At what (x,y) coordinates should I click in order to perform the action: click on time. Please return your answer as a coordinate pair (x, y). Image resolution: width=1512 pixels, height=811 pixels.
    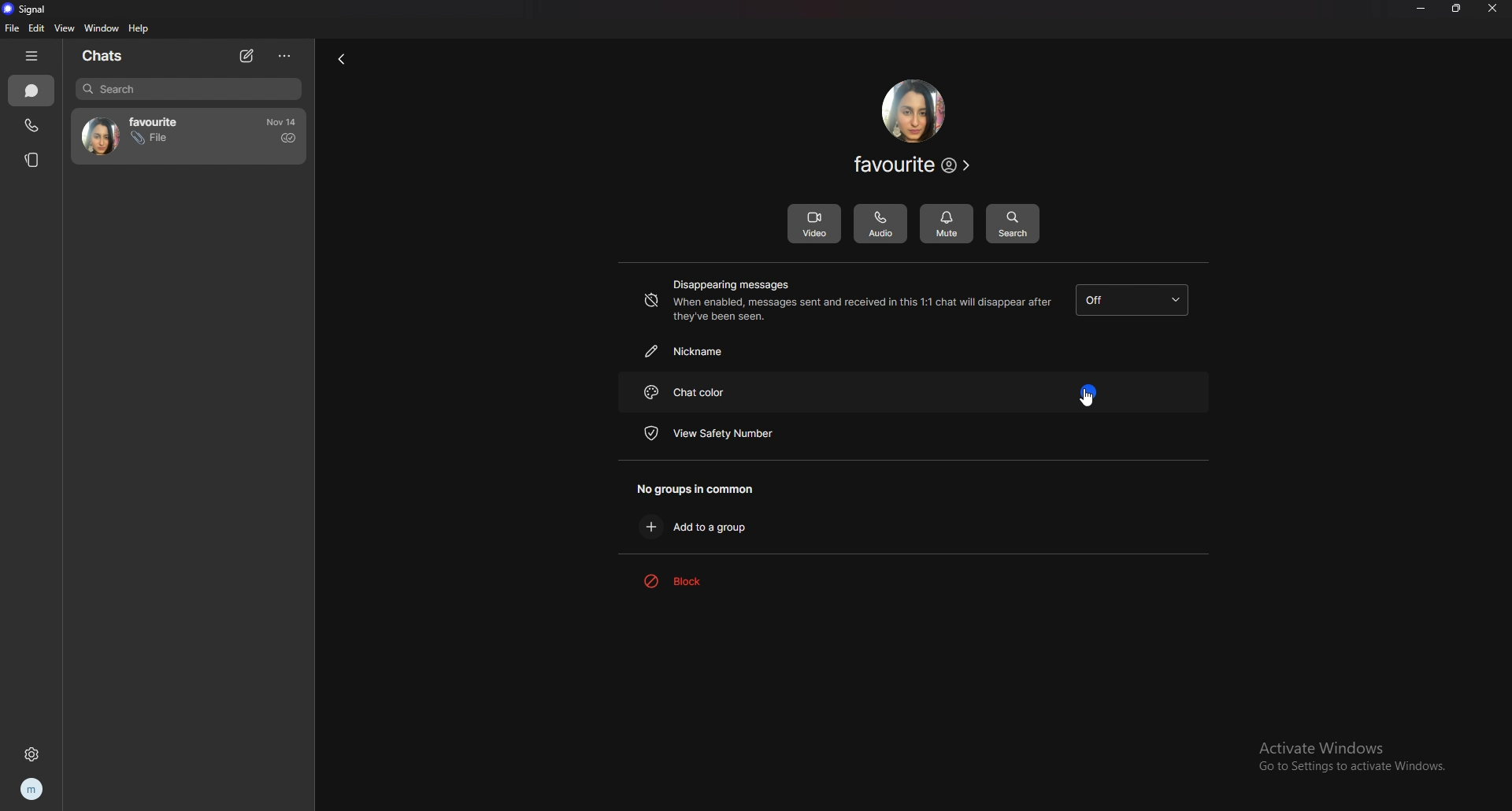
    Looking at the image, I should click on (283, 122).